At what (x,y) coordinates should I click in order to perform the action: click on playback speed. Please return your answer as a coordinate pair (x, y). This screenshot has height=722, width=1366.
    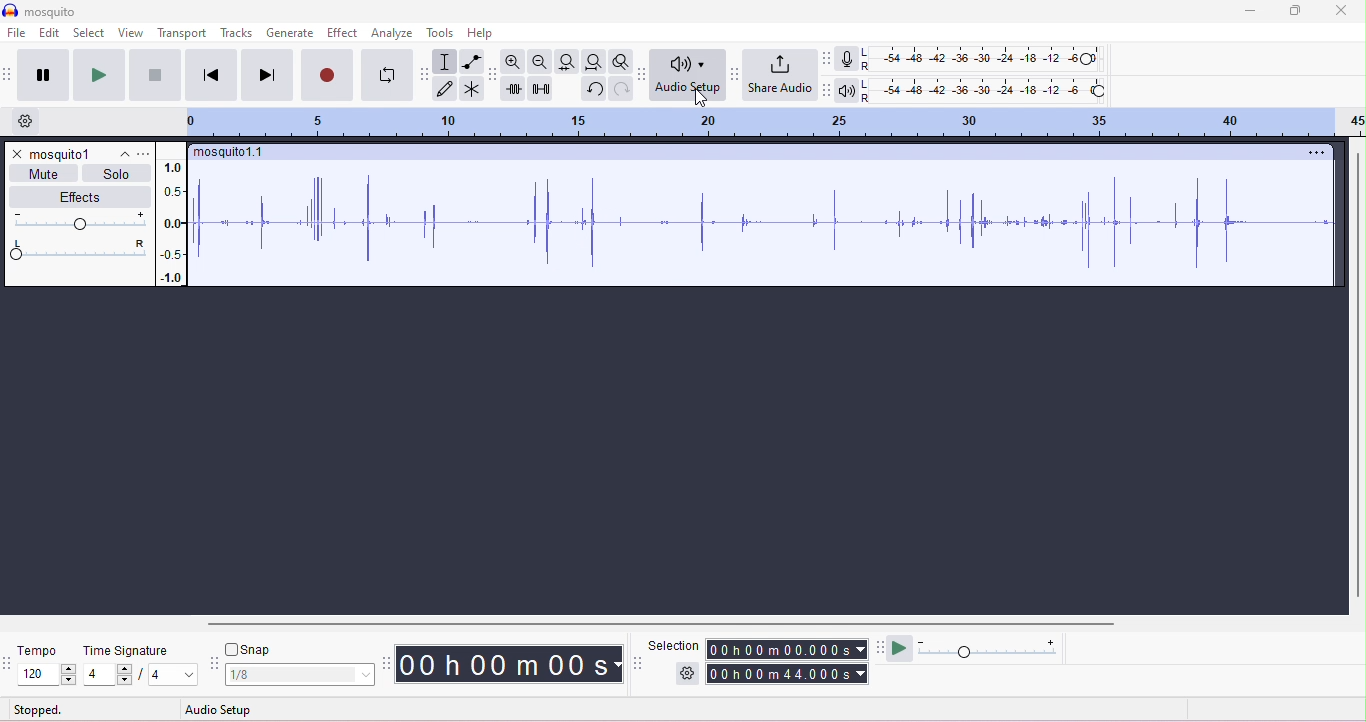
    Looking at the image, I should click on (989, 647).